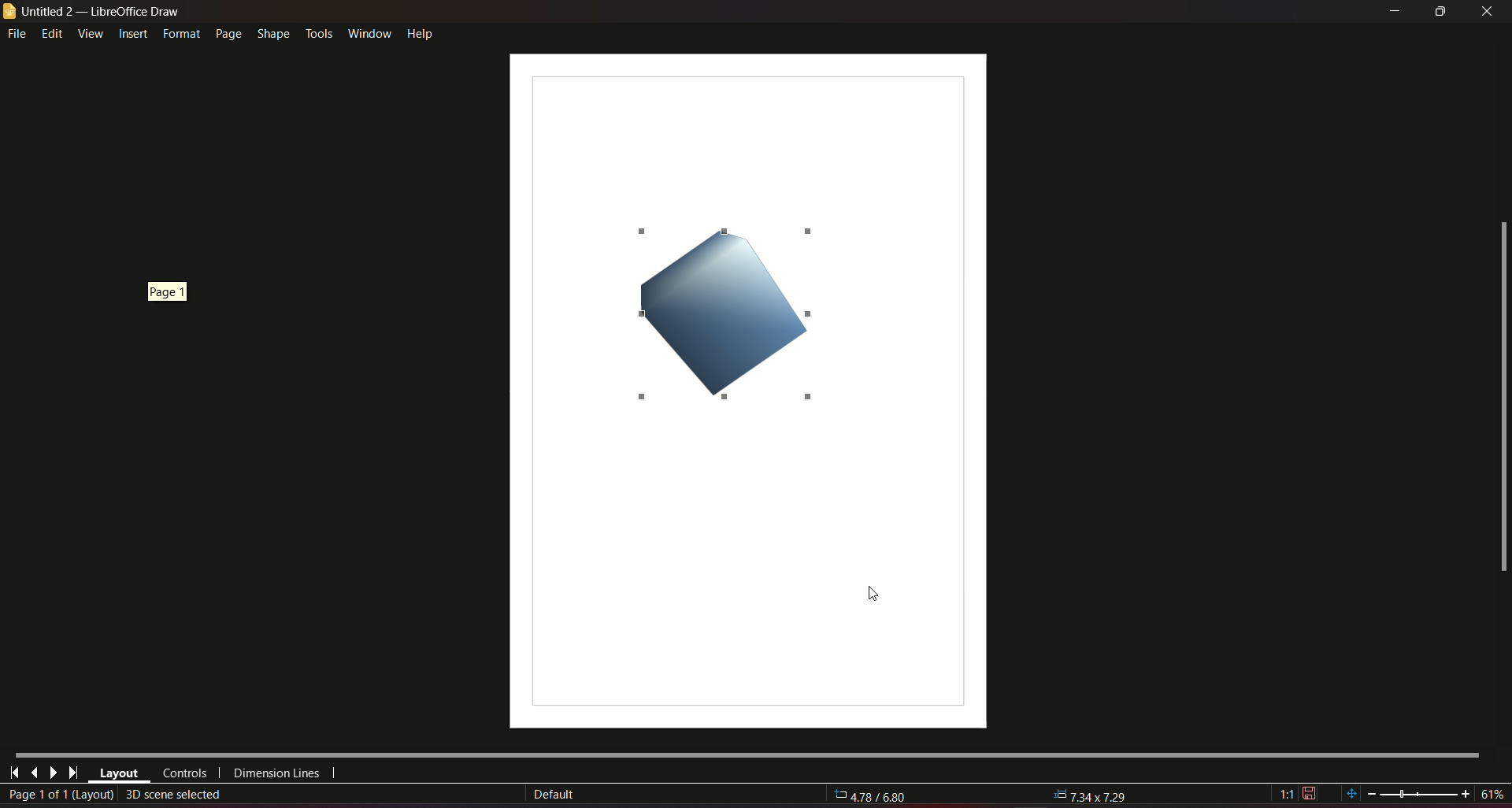  What do you see at coordinates (869, 592) in the screenshot?
I see `cursor` at bounding box center [869, 592].